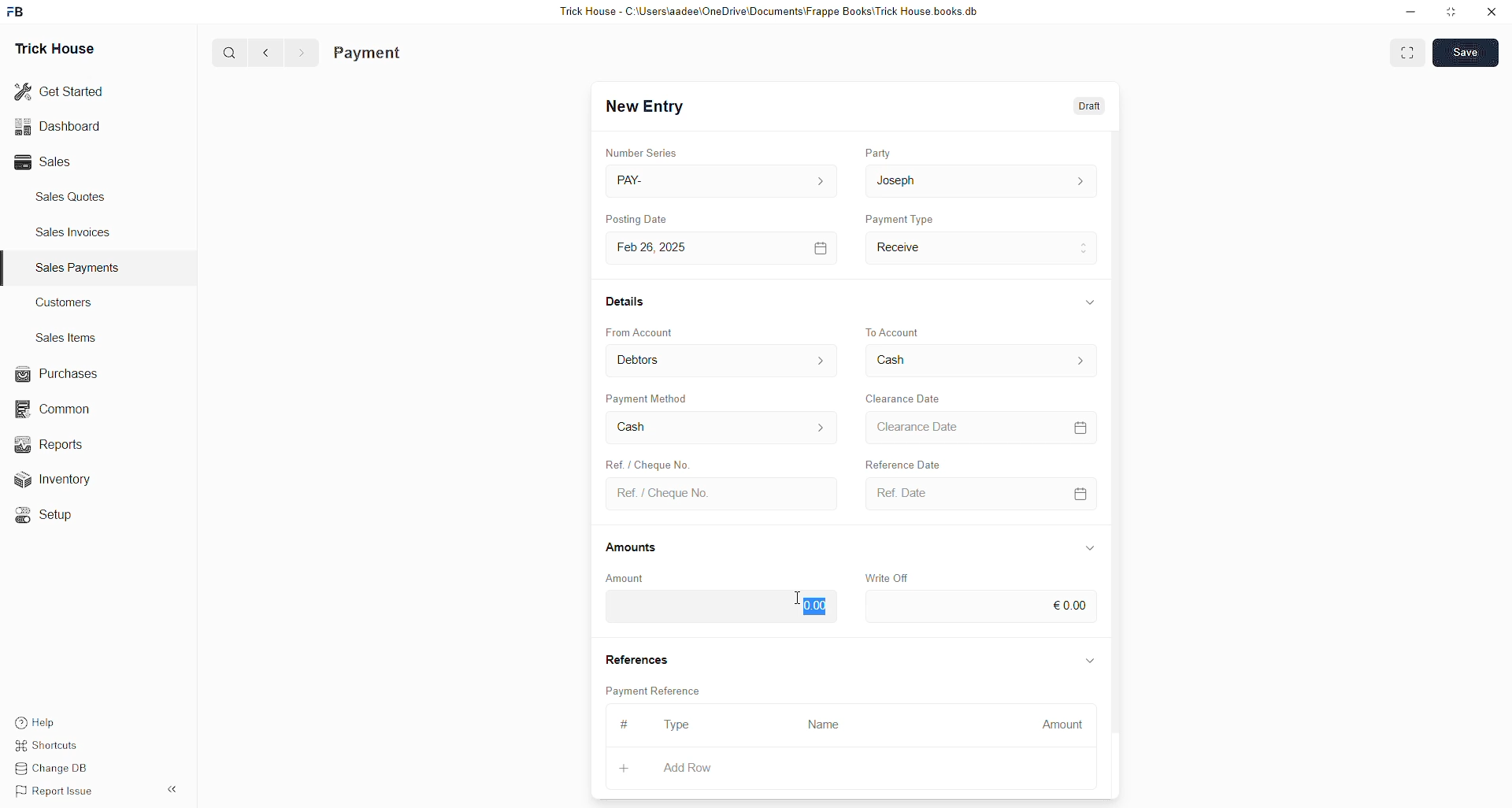 The image size is (1512, 808). What do you see at coordinates (878, 152) in the screenshot?
I see `Party` at bounding box center [878, 152].